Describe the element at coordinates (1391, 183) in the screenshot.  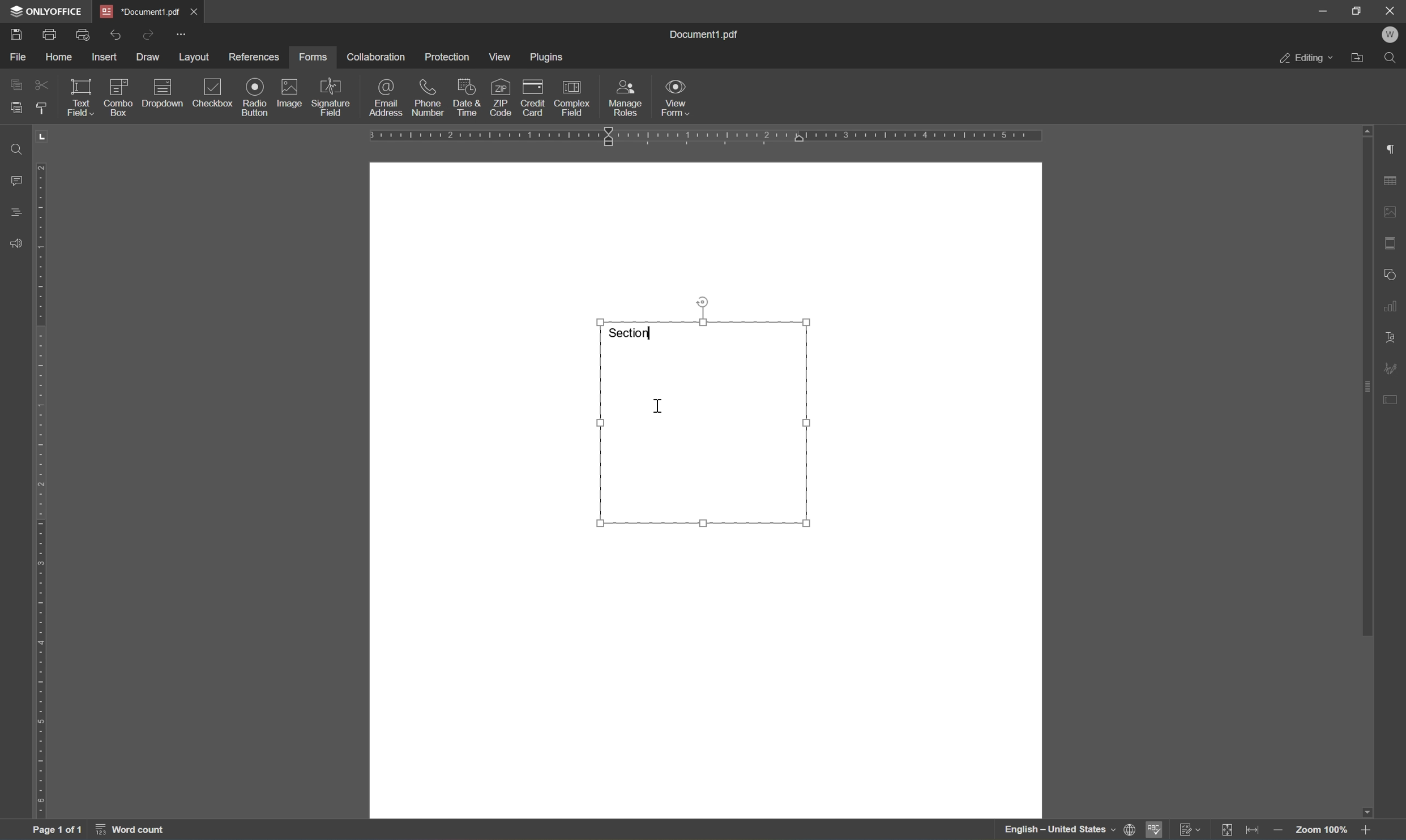
I see `table settings` at that location.